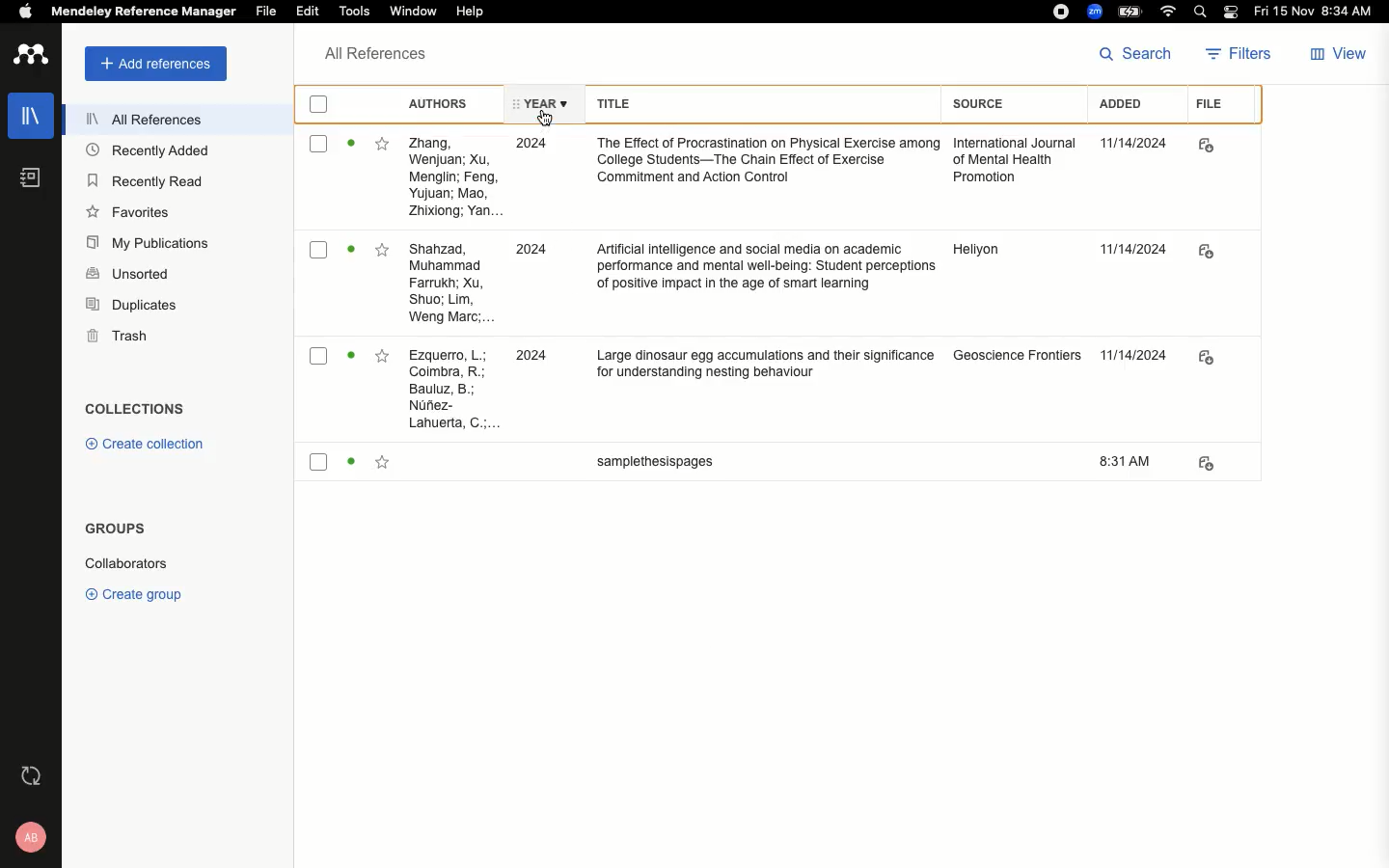 The width and height of the screenshot is (1389, 868). Describe the element at coordinates (352, 253) in the screenshot. I see `view status` at that location.